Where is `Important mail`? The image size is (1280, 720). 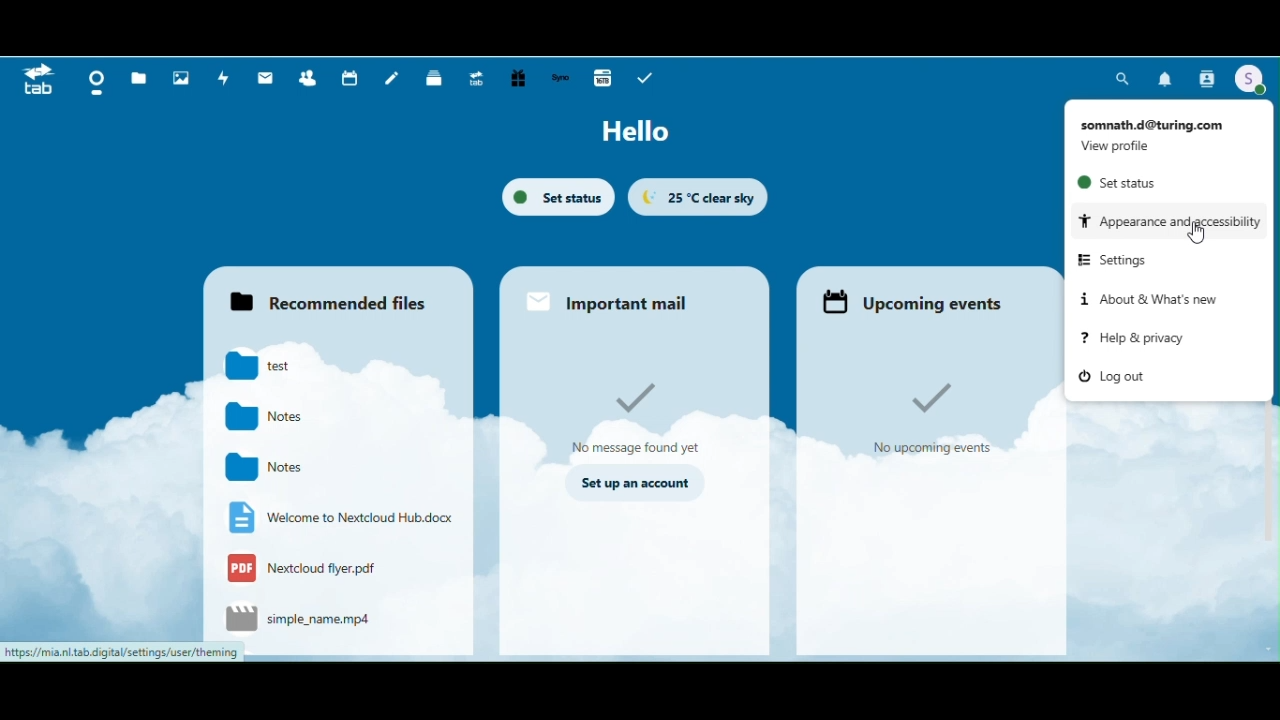 Important mail is located at coordinates (634, 295).